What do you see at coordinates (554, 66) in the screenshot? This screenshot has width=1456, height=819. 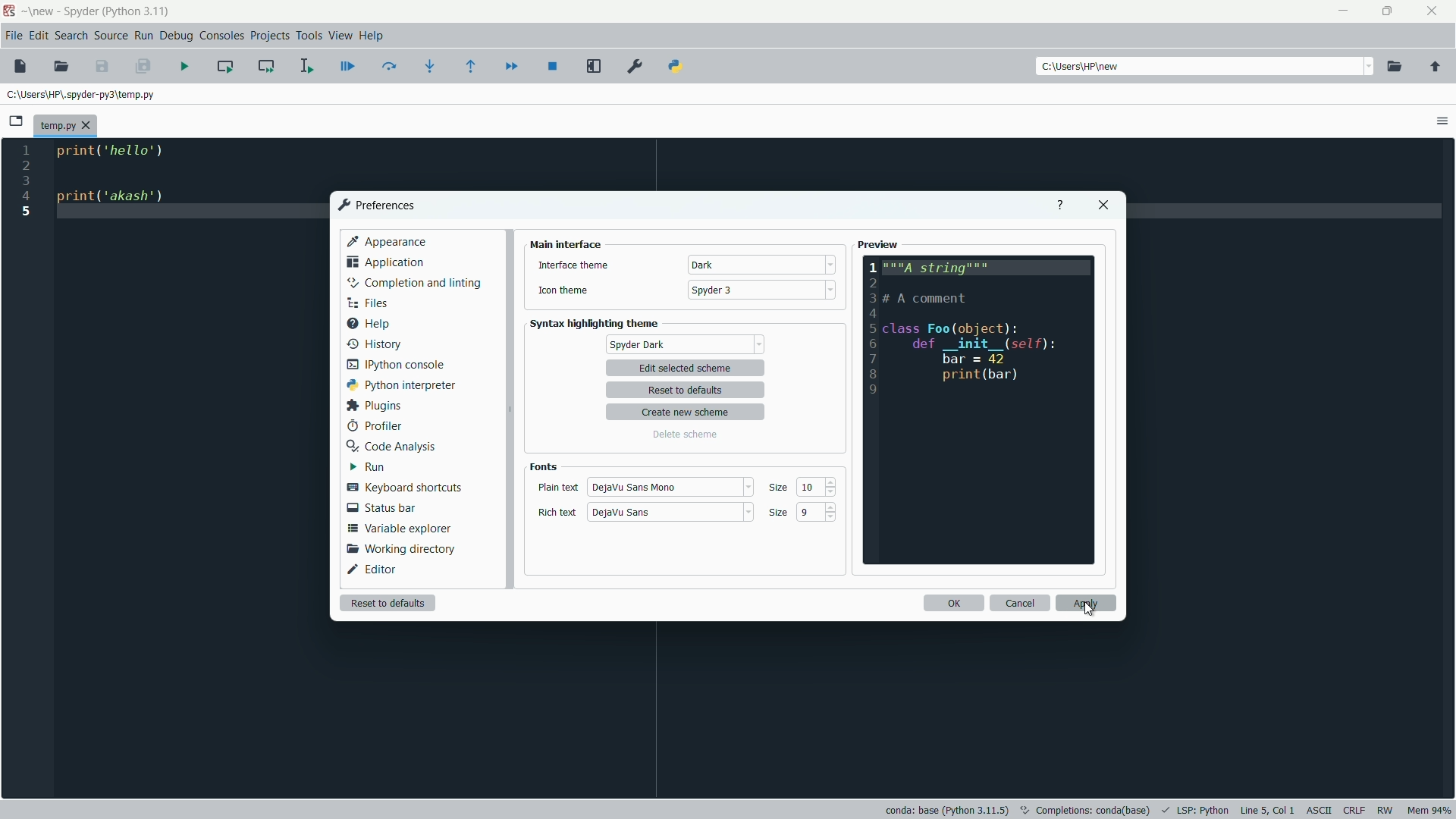 I see `stop debugging` at bounding box center [554, 66].